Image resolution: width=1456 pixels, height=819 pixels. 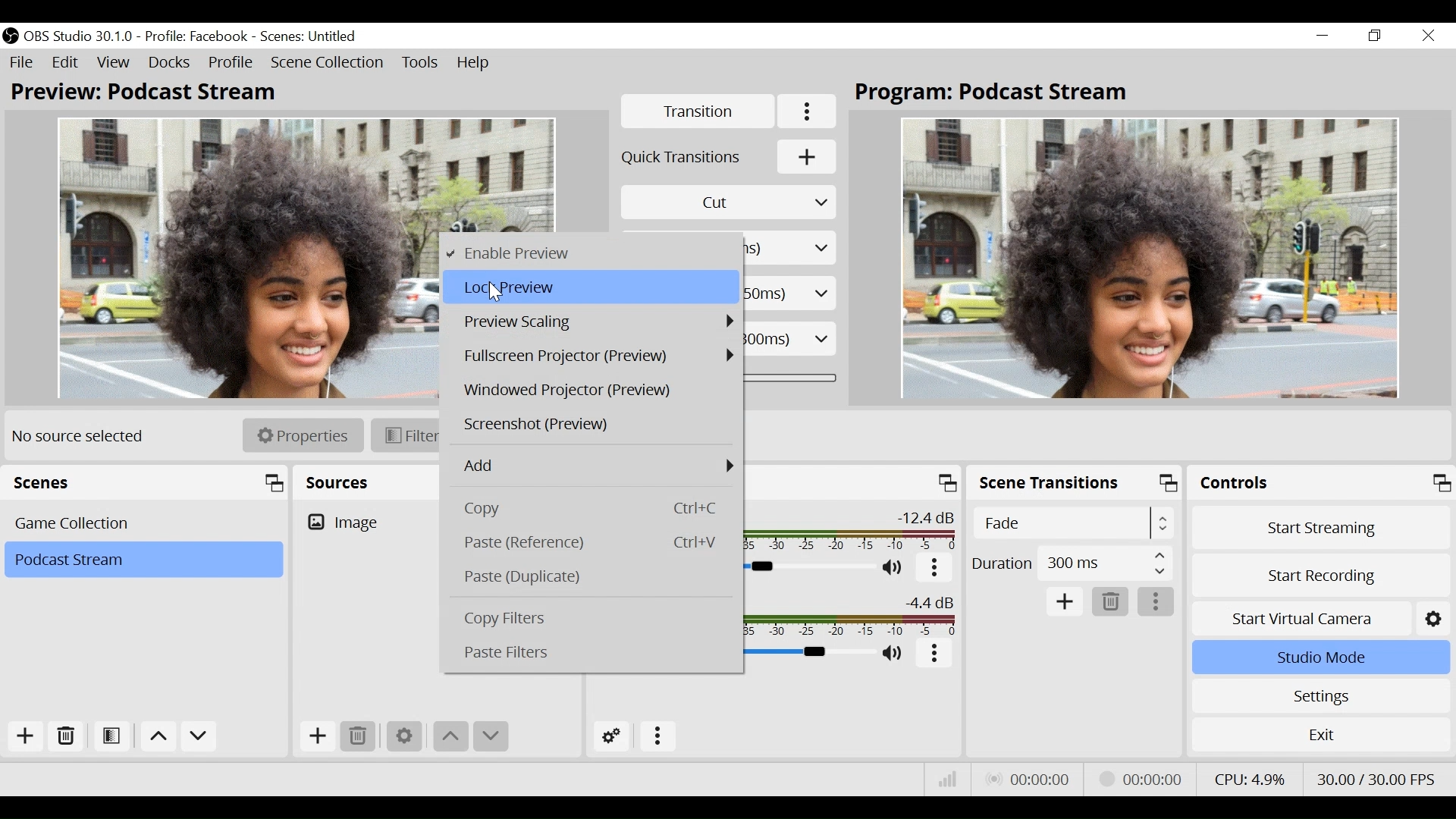 What do you see at coordinates (598, 508) in the screenshot?
I see `Copy` at bounding box center [598, 508].